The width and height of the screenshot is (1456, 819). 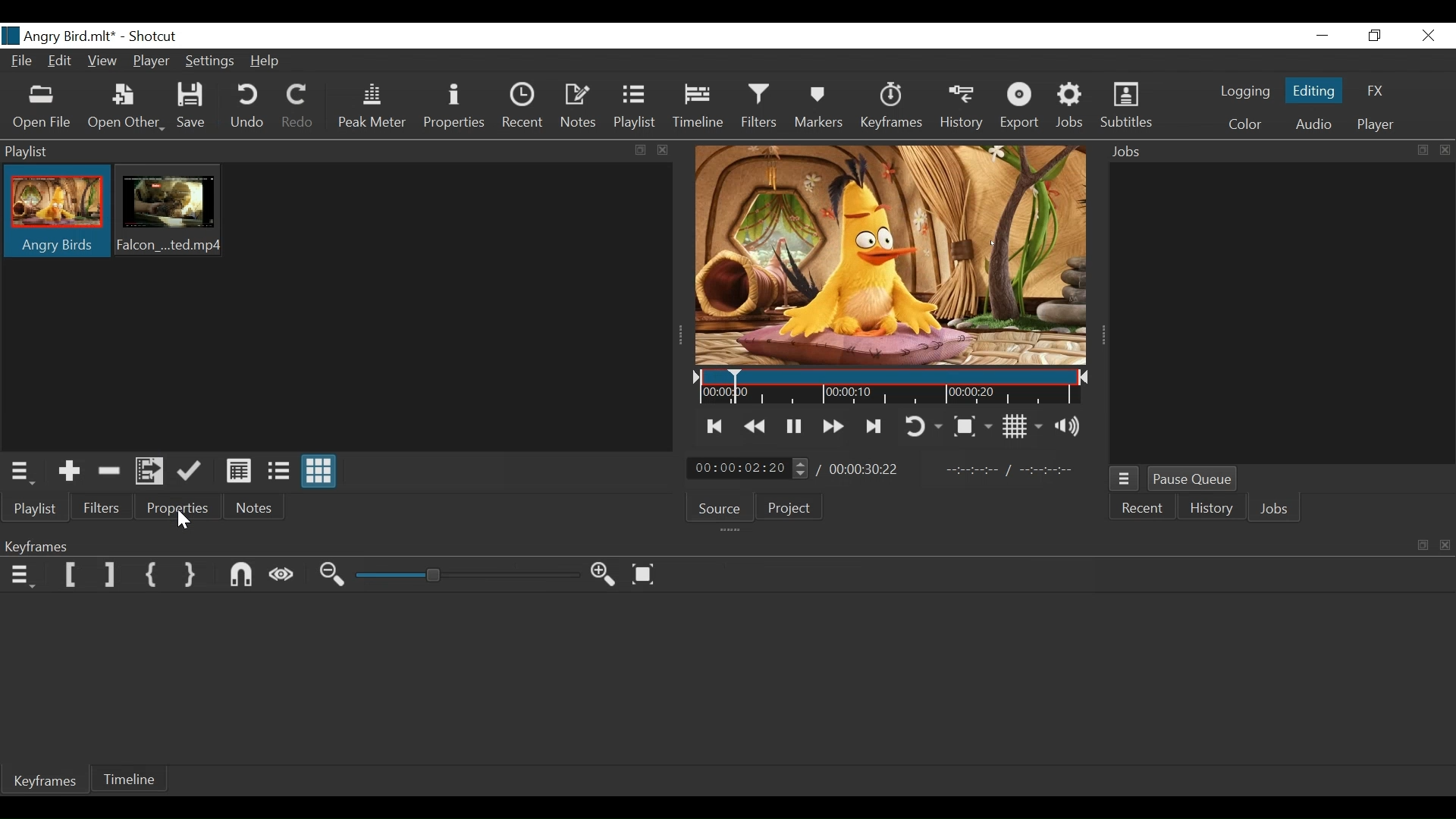 I want to click on Zoom slider, so click(x=467, y=576).